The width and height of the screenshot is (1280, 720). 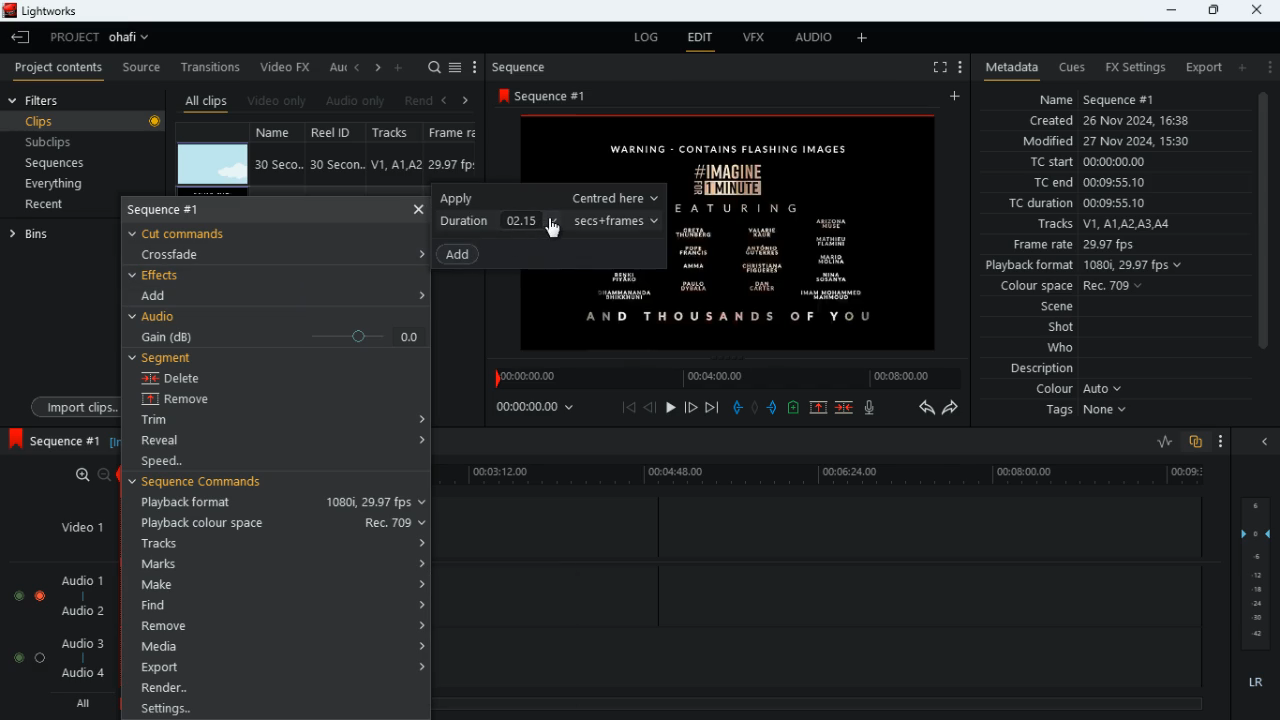 I want to click on recent, so click(x=61, y=206).